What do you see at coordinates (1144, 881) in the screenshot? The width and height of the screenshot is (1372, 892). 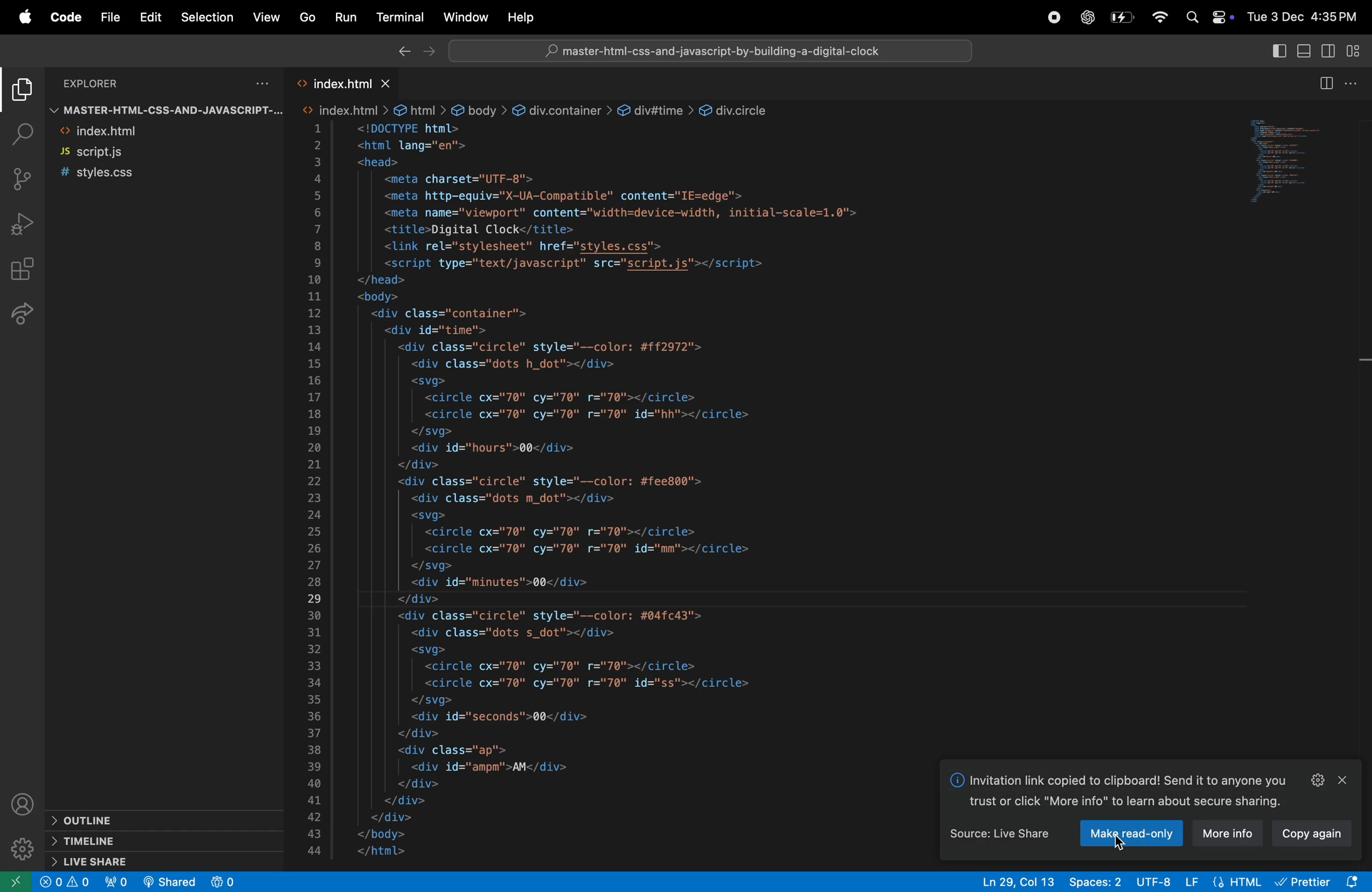 I see `utf 8` at bounding box center [1144, 881].